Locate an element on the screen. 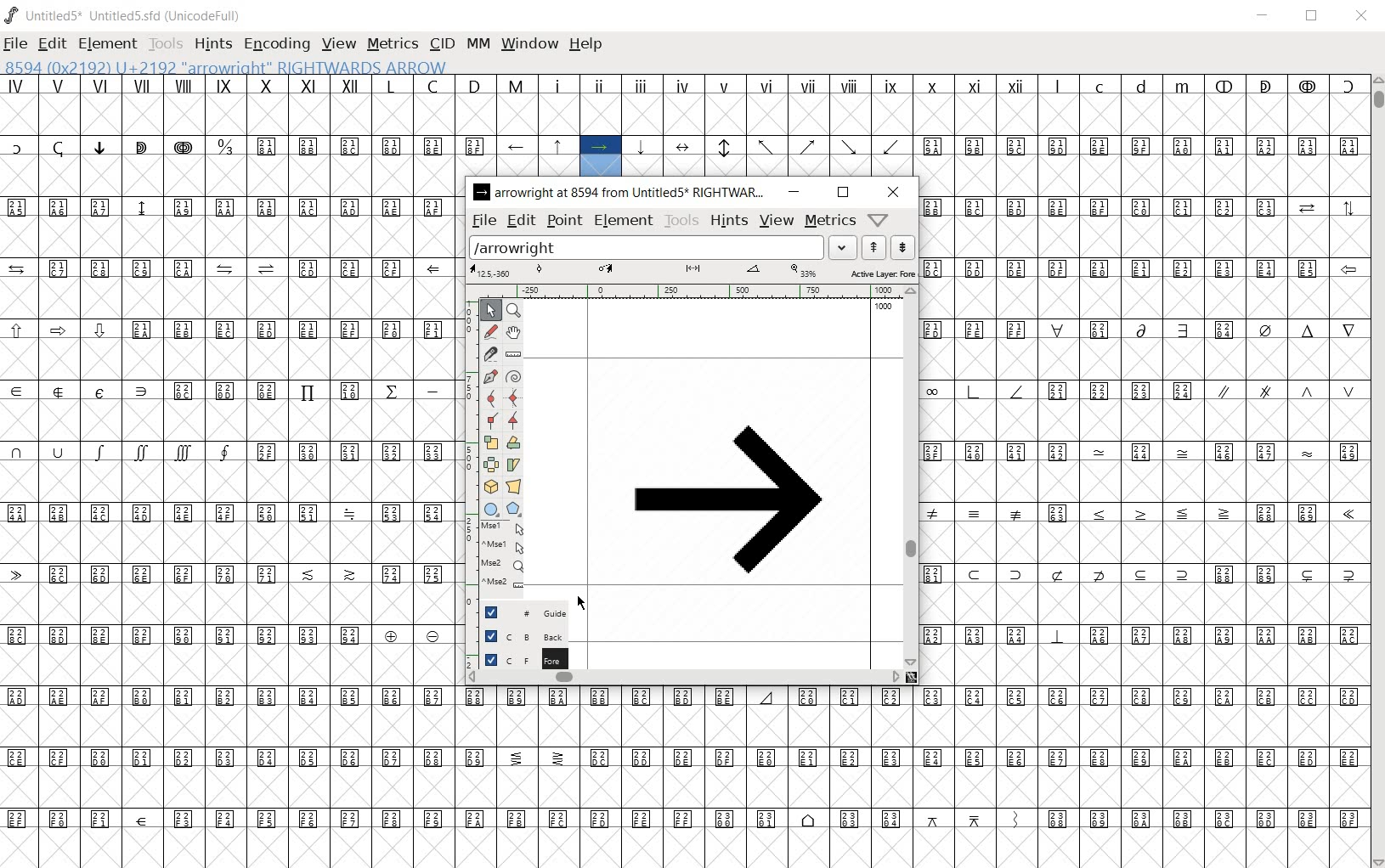 This screenshot has width=1385, height=868. element is located at coordinates (624, 220).